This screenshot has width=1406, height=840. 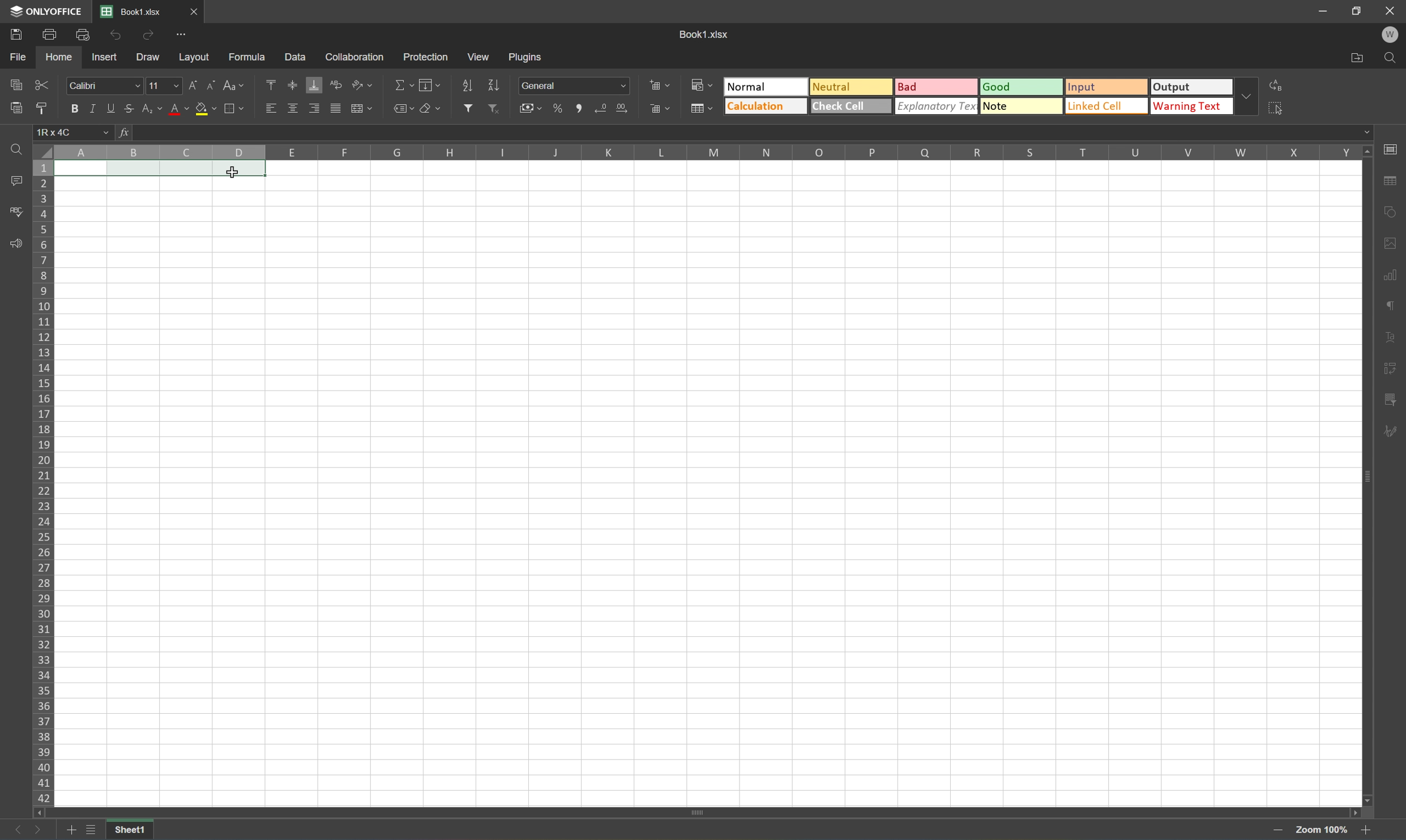 I want to click on Format as table template, so click(x=700, y=107).